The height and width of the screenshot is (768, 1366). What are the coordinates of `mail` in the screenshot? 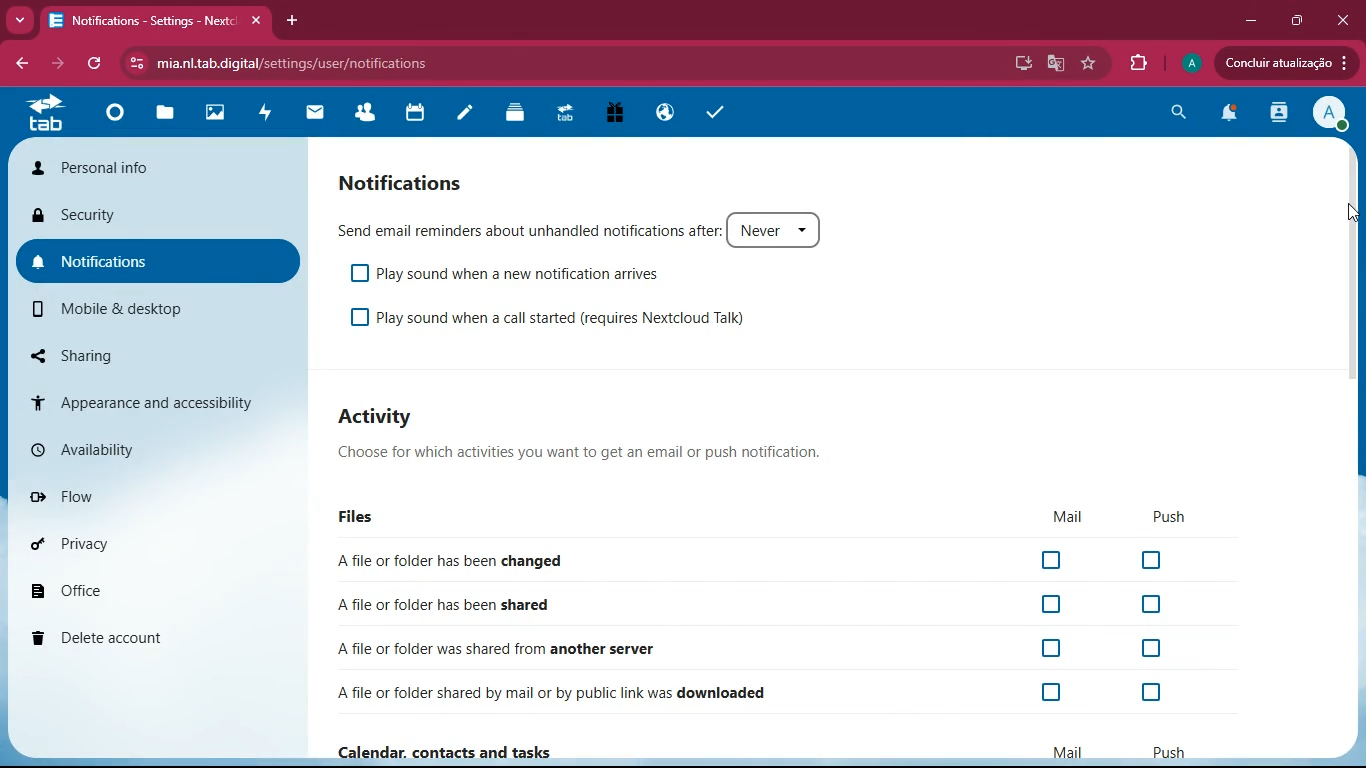 It's located at (1071, 516).